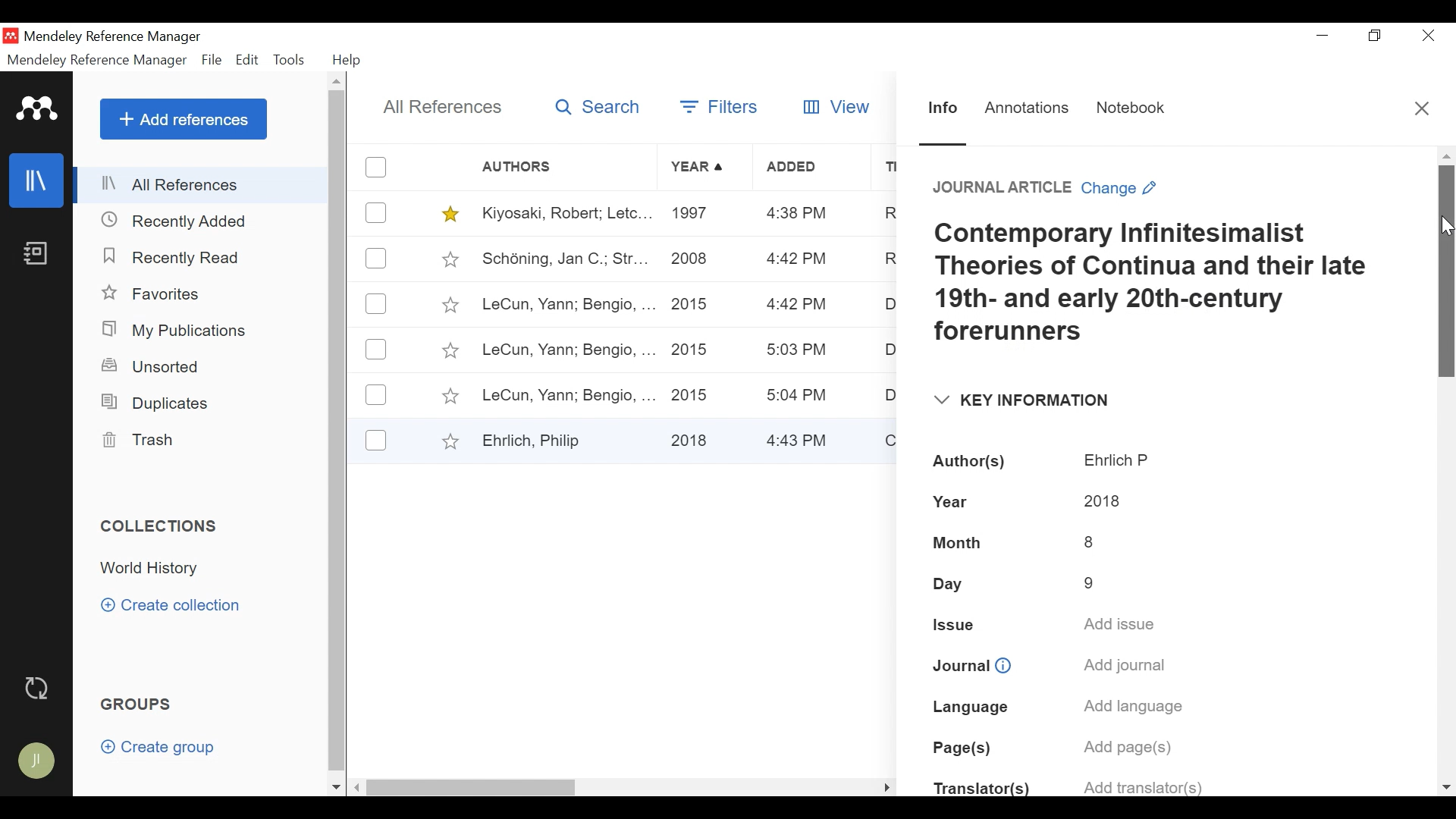  Describe the element at coordinates (34, 760) in the screenshot. I see `Avatar` at that location.